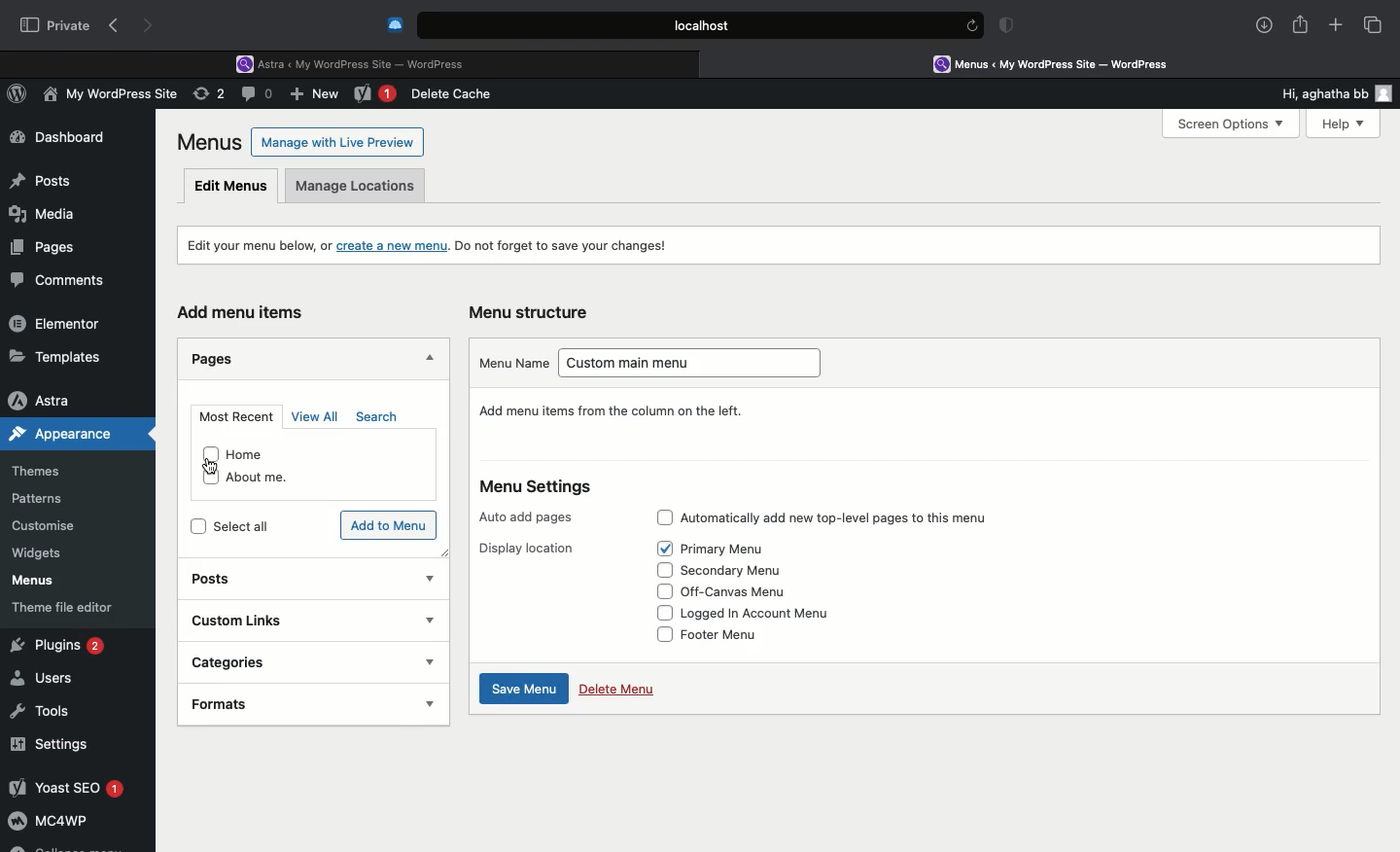 This screenshot has width=1400, height=852. I want to click on Display location, so click(533, 547).